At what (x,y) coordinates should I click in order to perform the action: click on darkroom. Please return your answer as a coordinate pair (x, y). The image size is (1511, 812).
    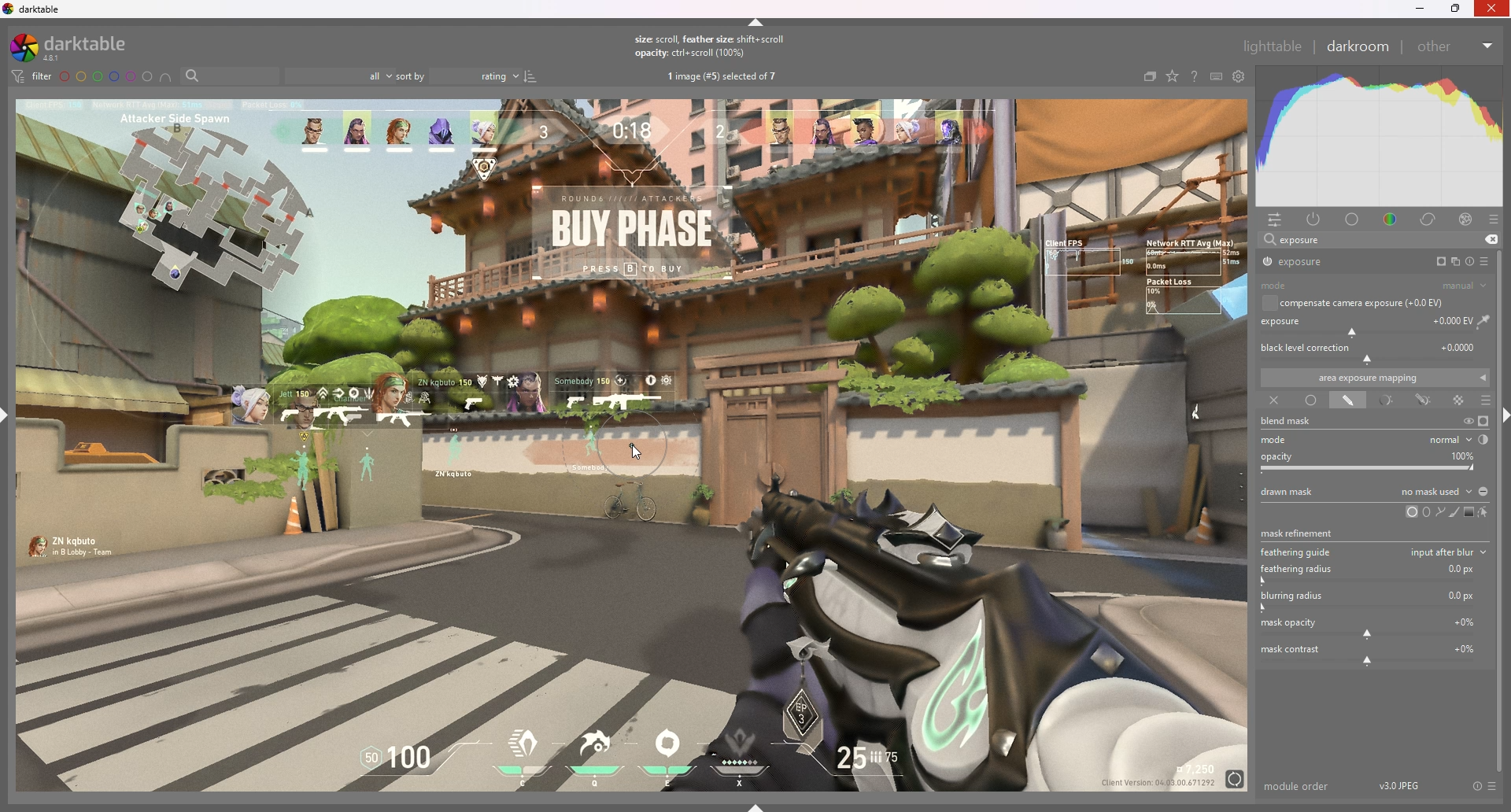
    Looking at the image, I should click on (1357, 46).